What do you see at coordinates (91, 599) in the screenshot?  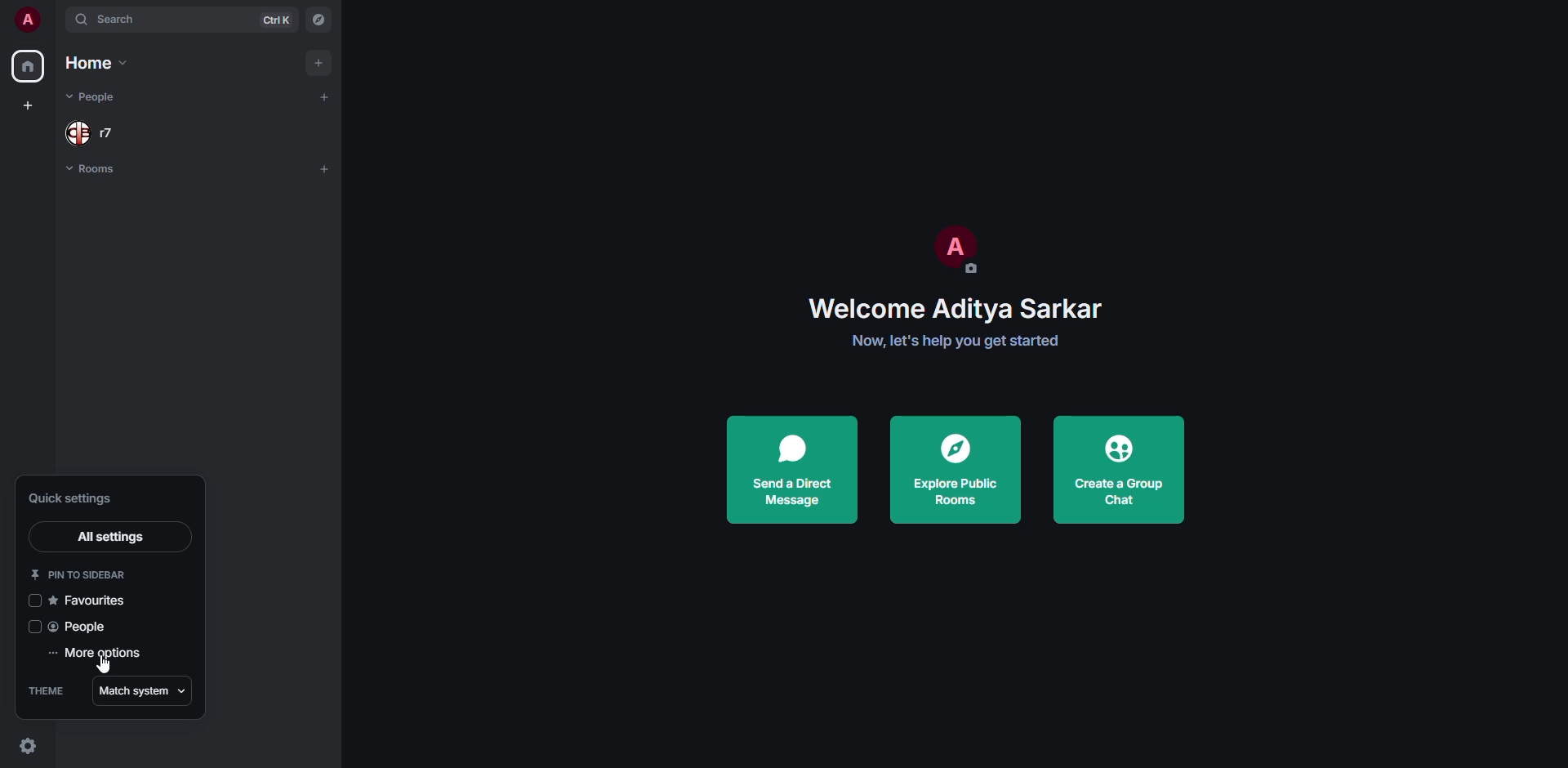 I see `favorites` at bounding box center [91, 599].